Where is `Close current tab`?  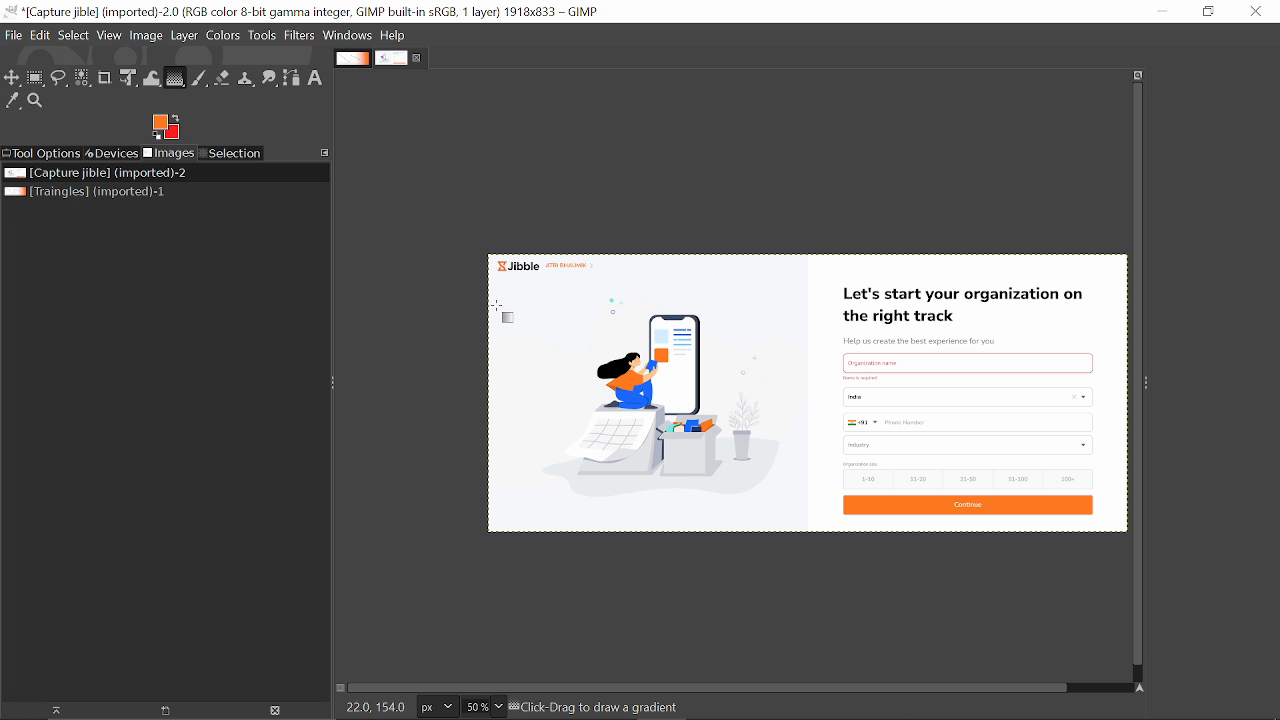 Close current tab is located at coordinates (418, 56).